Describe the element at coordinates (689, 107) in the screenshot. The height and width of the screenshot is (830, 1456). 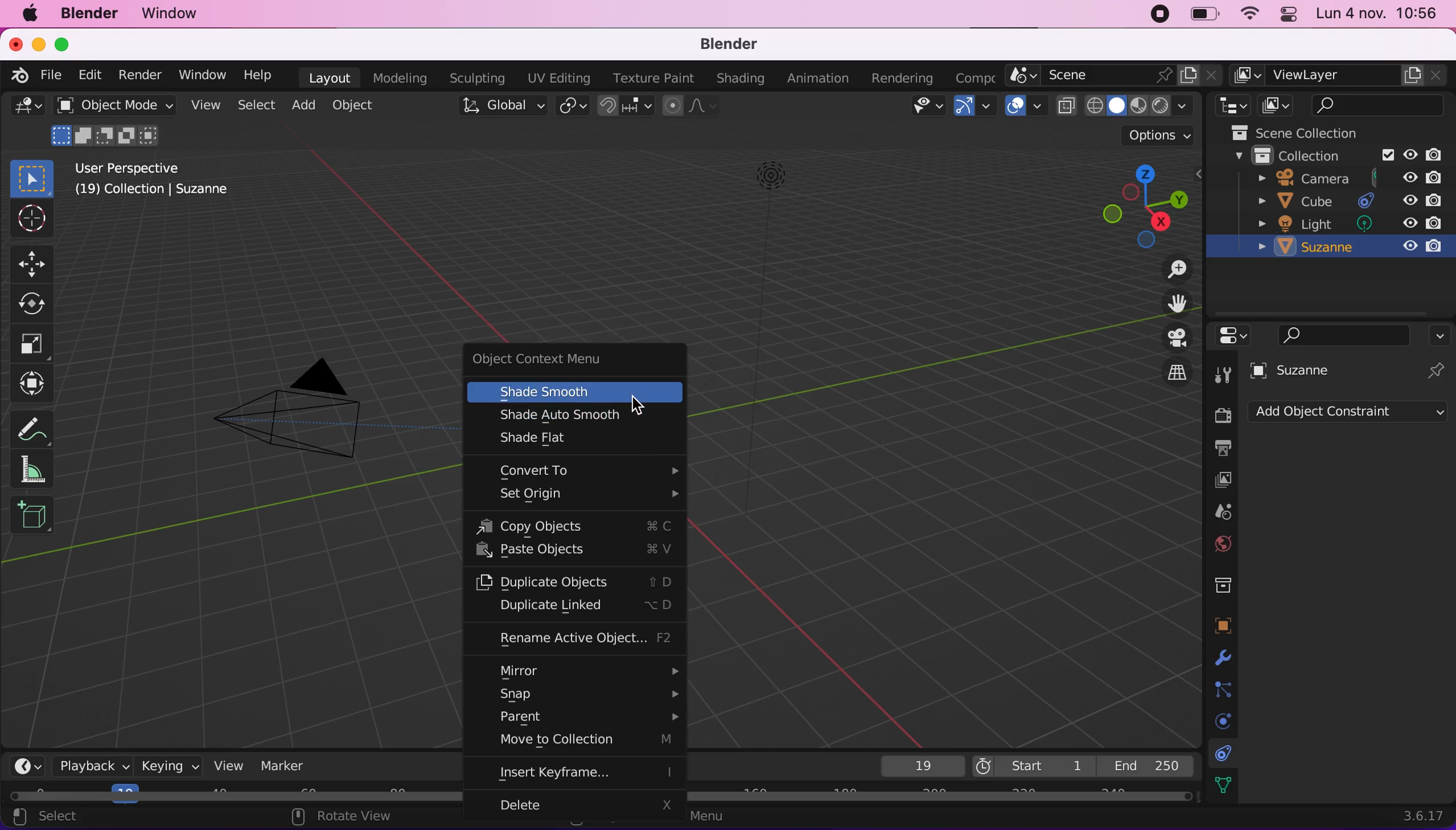
I see `proportional editing objects` at that location.